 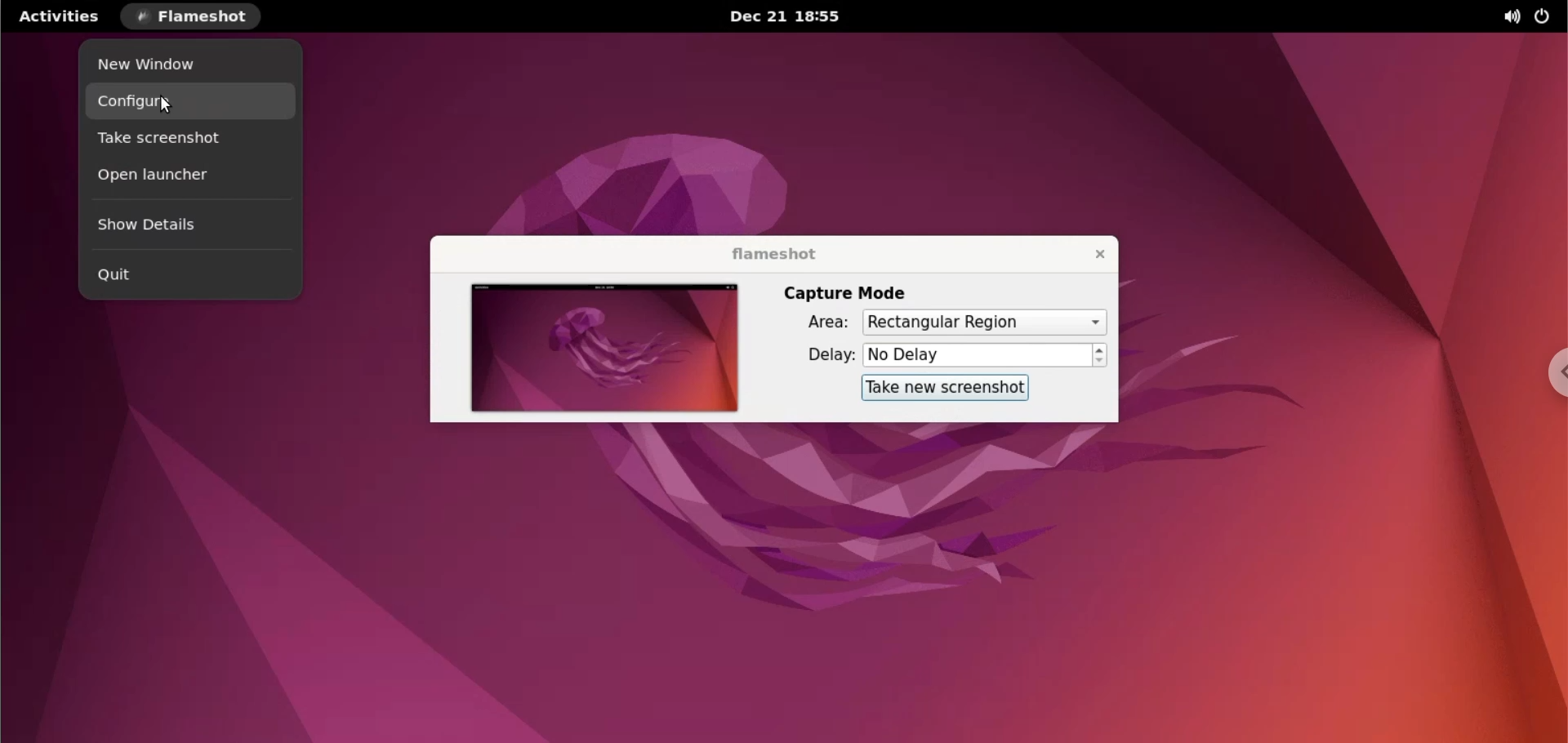 I want to click on Dec 21 18:55, so click(x=784, y=17).